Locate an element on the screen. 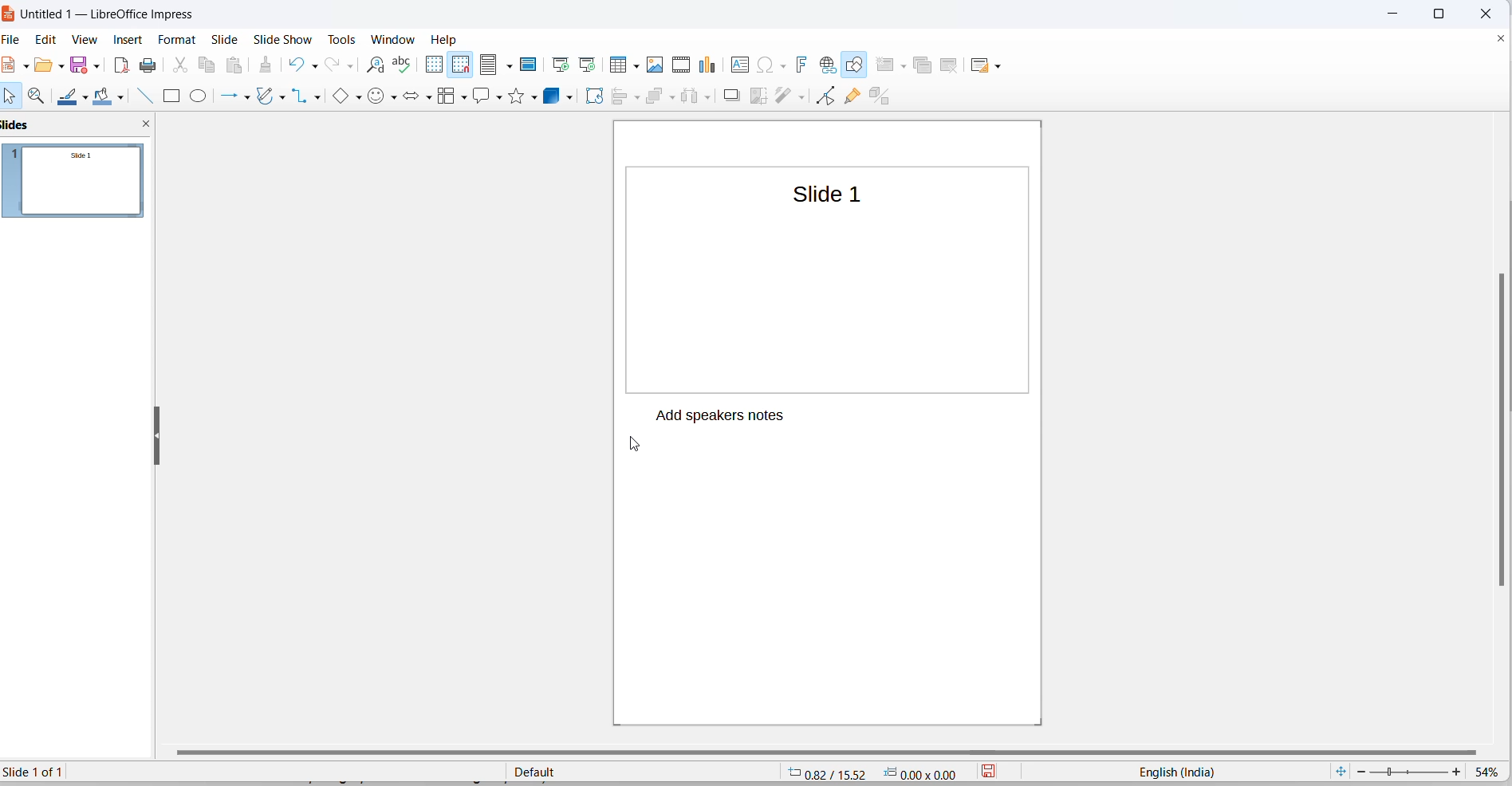  zoom slider is located at coordinates (1409, 771).